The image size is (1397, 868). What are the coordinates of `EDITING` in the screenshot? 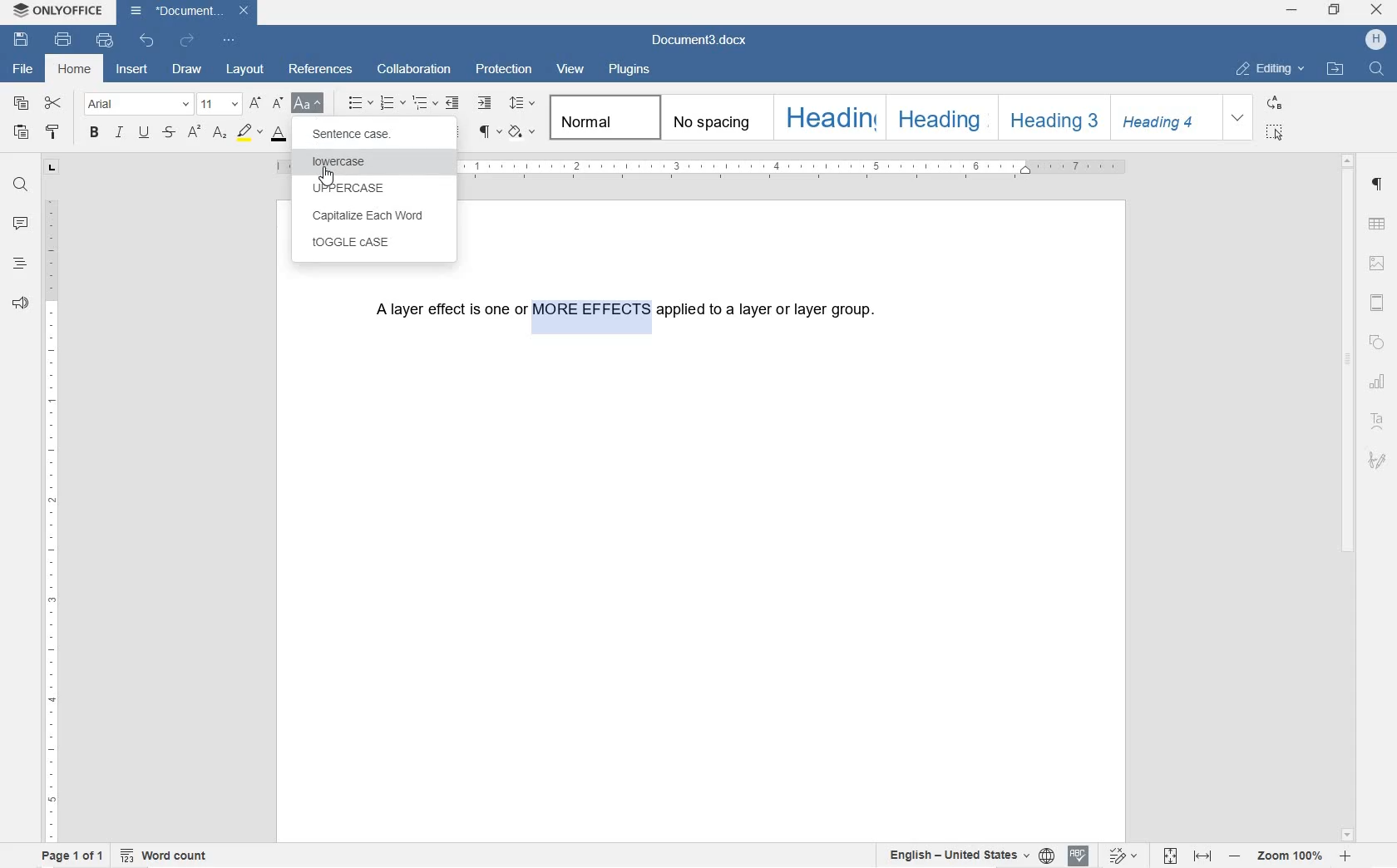 It's located at (1271, 65).